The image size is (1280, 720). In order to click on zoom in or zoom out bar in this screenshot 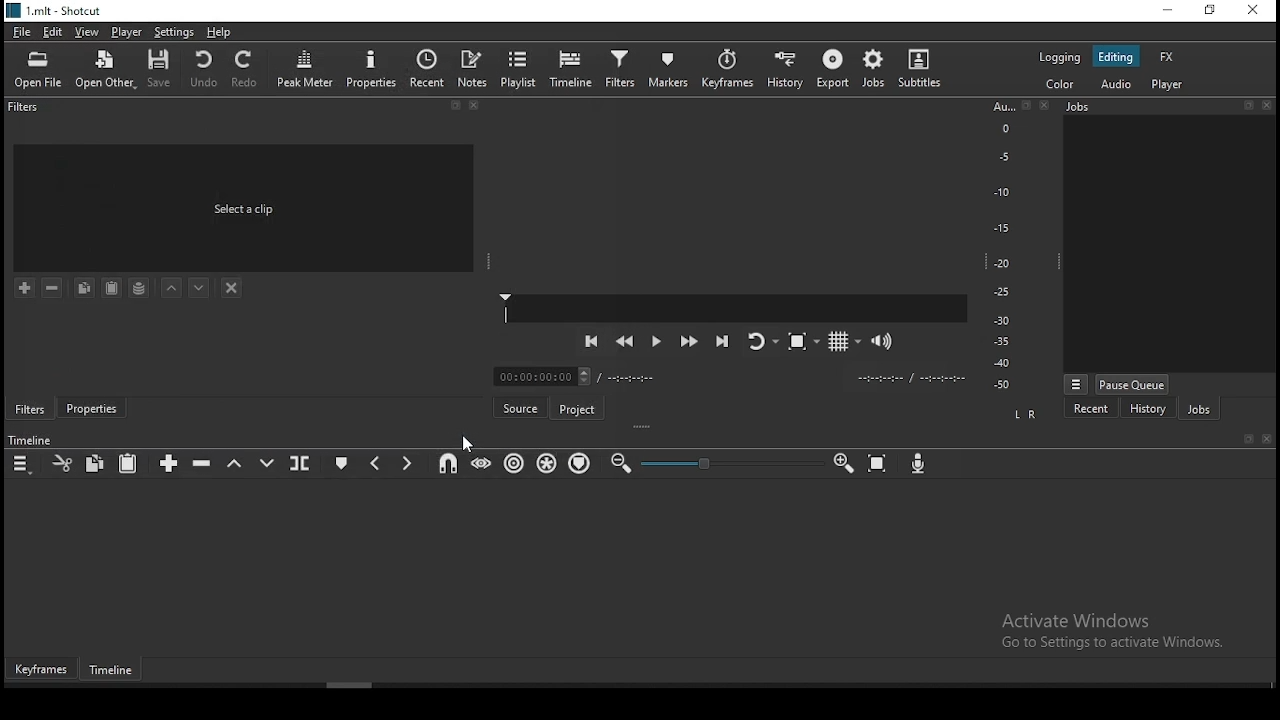, I will do `click(722, 463)`.